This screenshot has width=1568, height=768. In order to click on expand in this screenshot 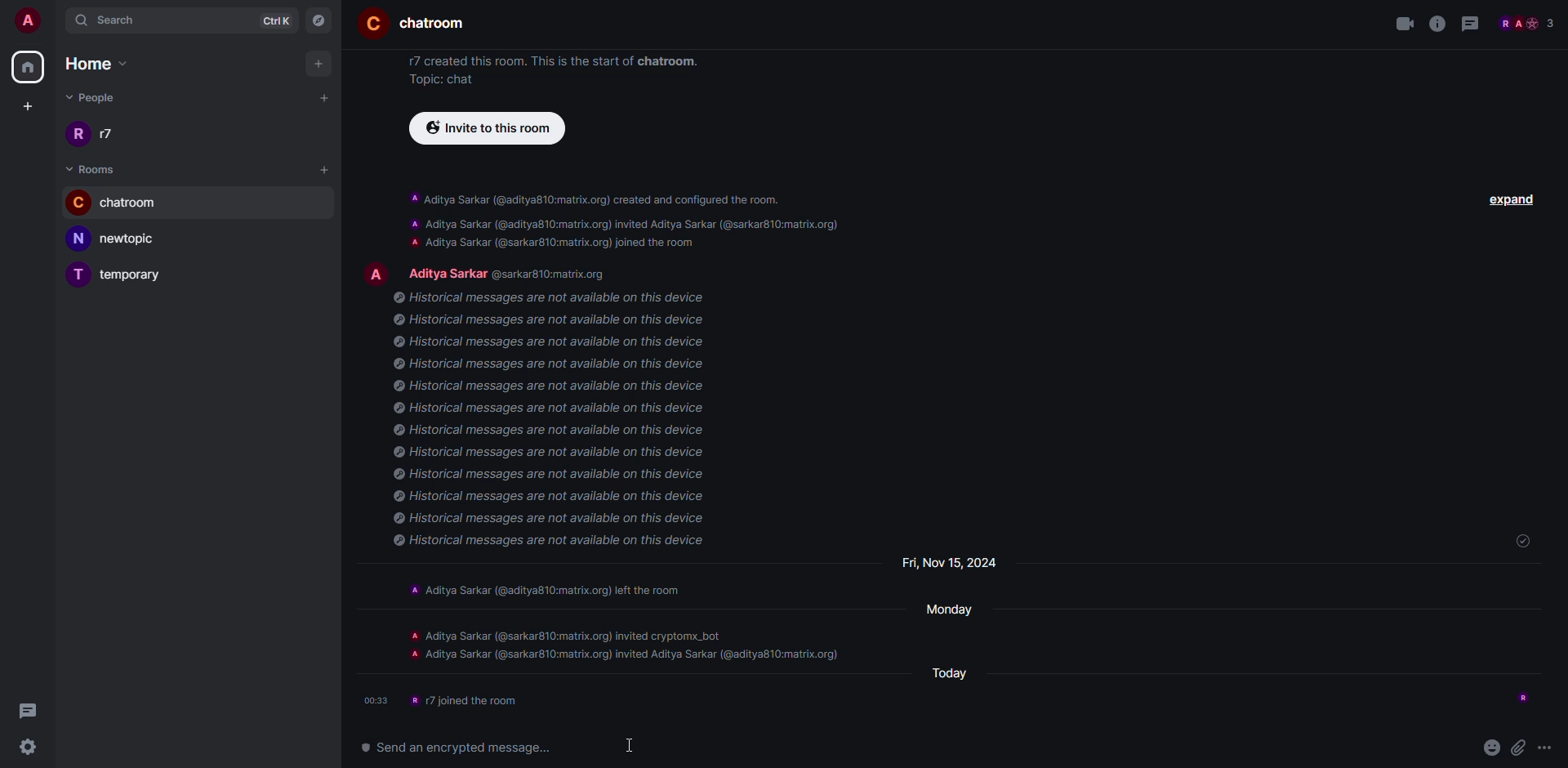, I will do `click(1510, 201)`.